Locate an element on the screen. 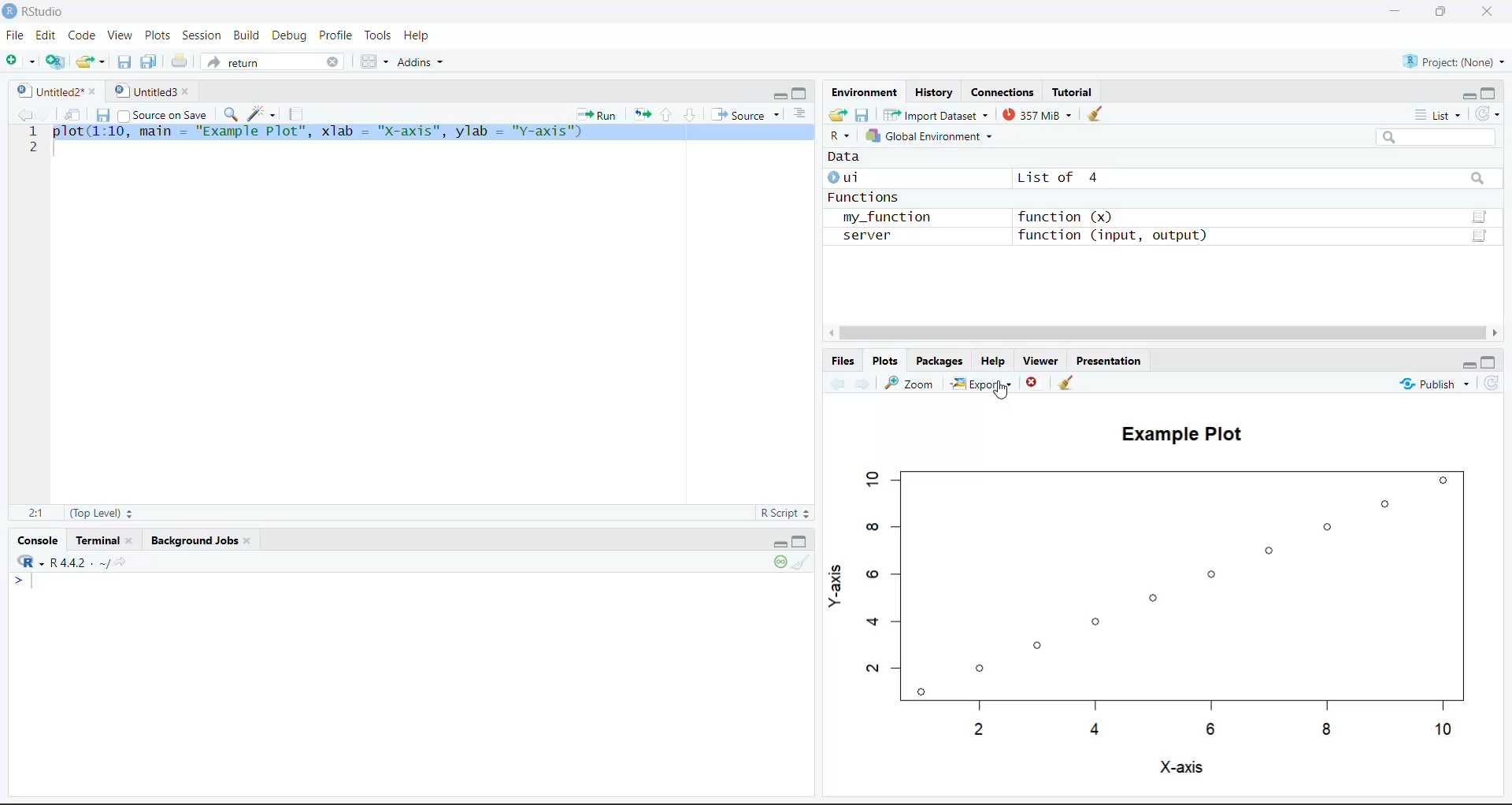  Global Environment is located at coordinates (933, 135).